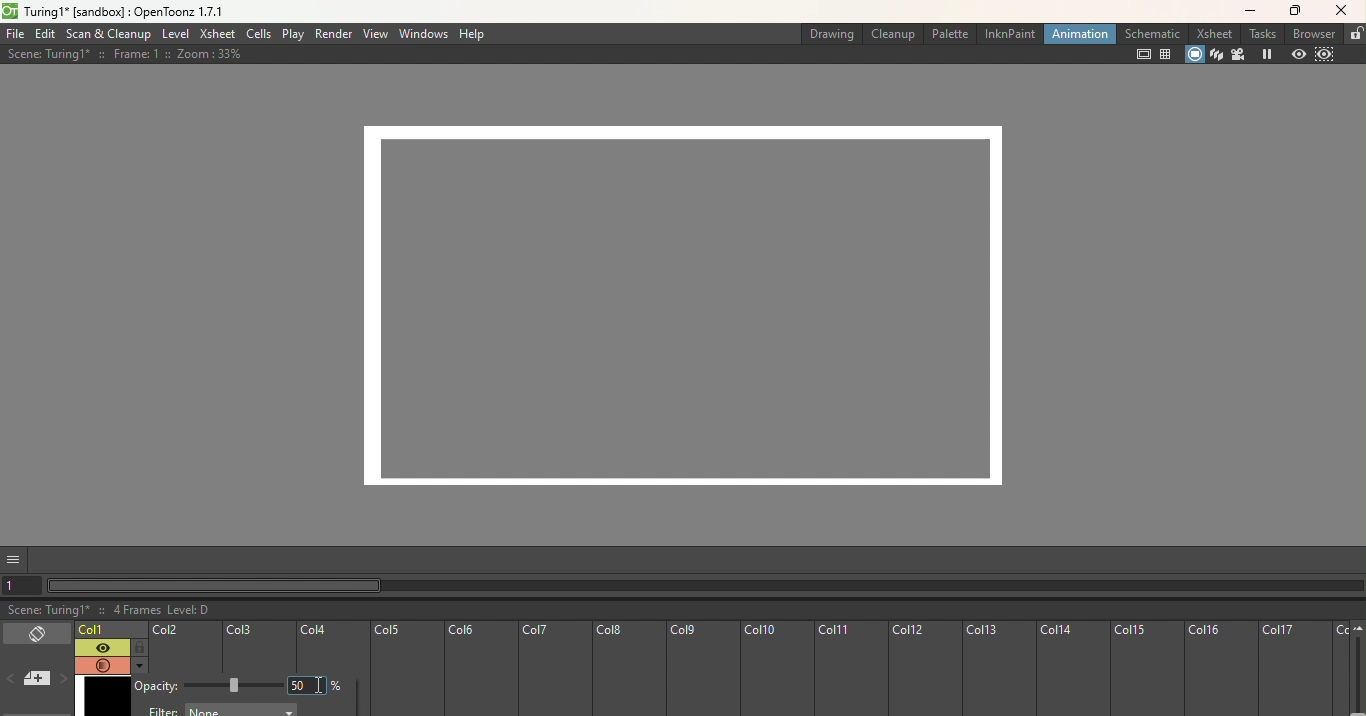 The width and height of the screenshot is (1366, 716). I want to click on Col2, so click(184, 649).